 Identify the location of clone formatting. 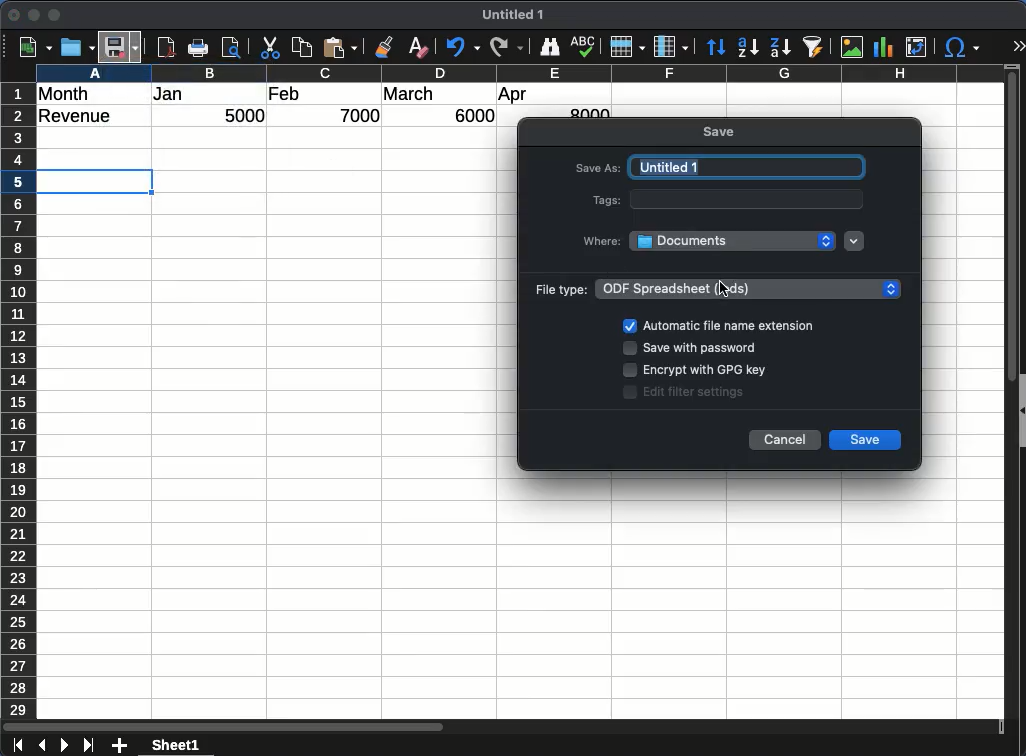
(388, 47).